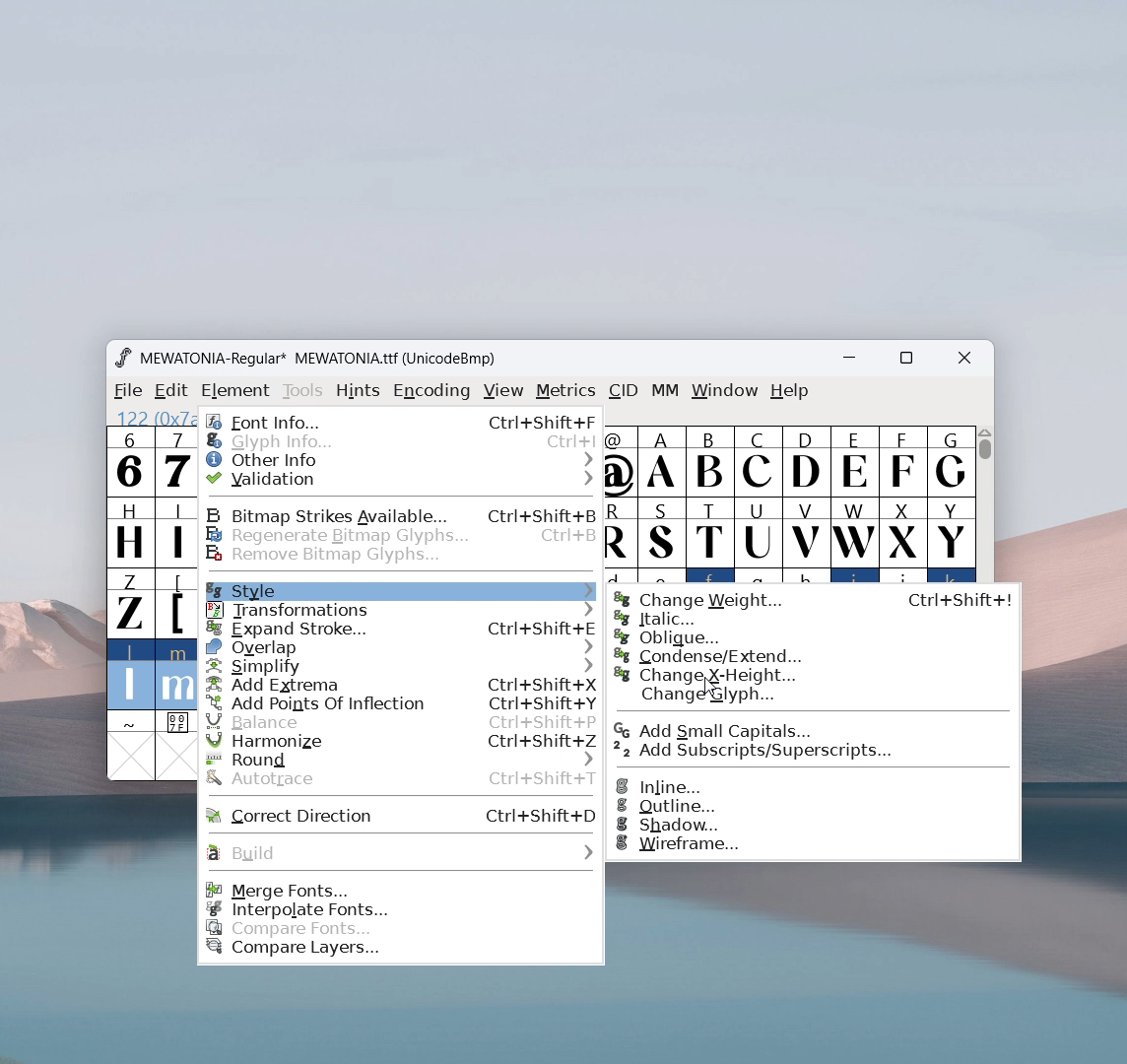  Describe the element at coordinates (711, 687) in the screenshot. I see `Cursor` at that location.